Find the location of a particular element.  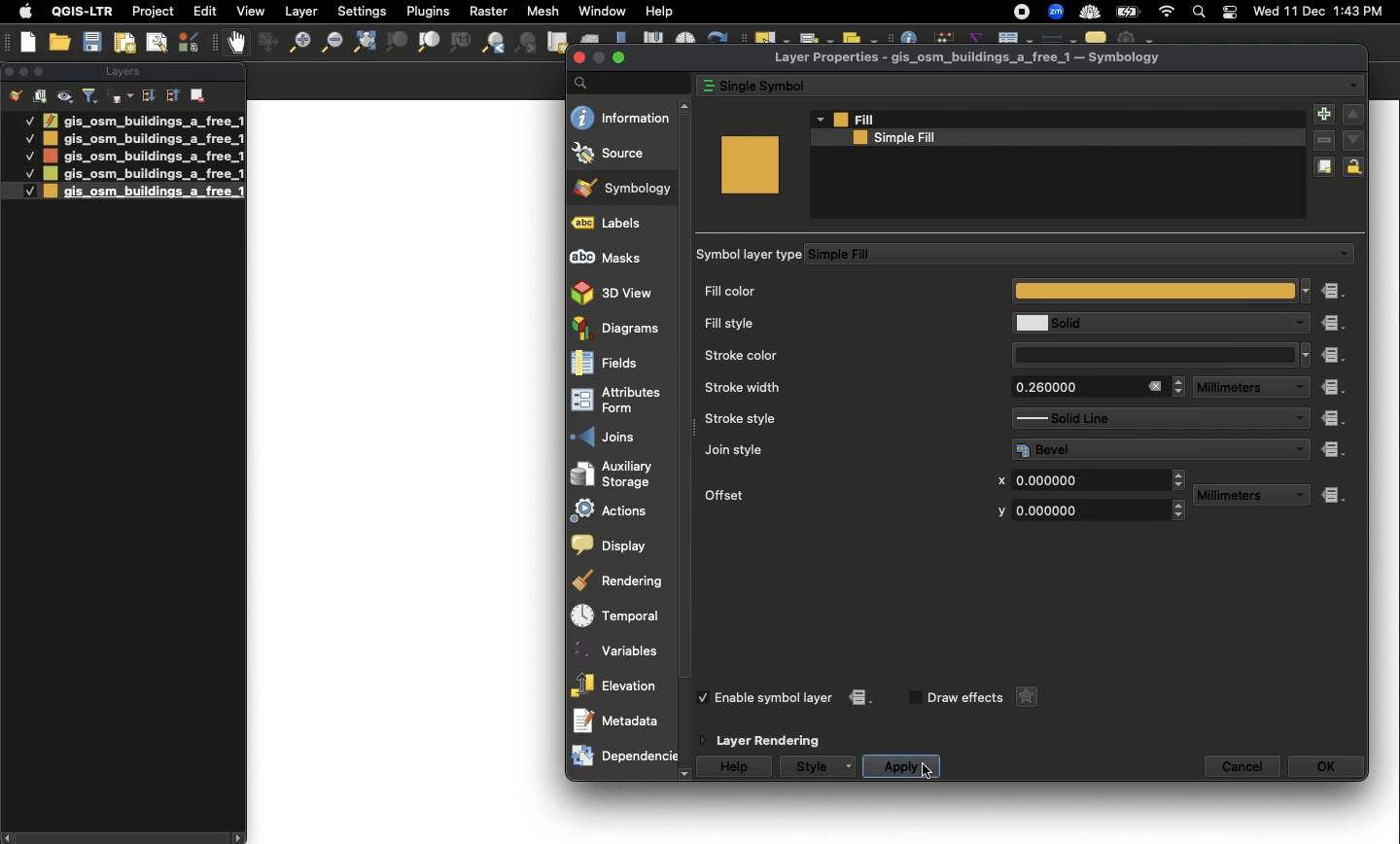

Help is located at coordinates (659, 12).